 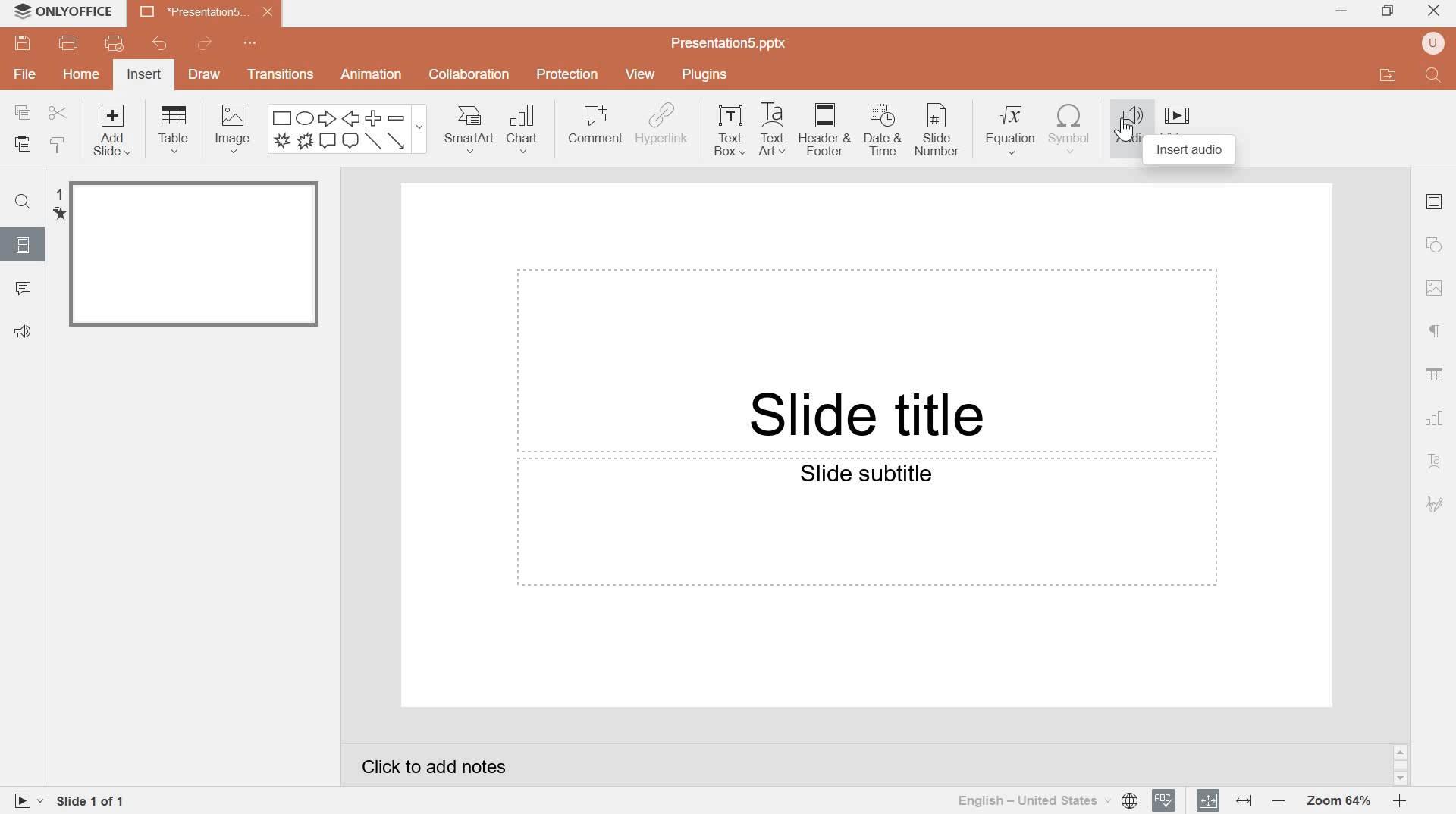 I want to click on Text field, so click(x=866, y=360).